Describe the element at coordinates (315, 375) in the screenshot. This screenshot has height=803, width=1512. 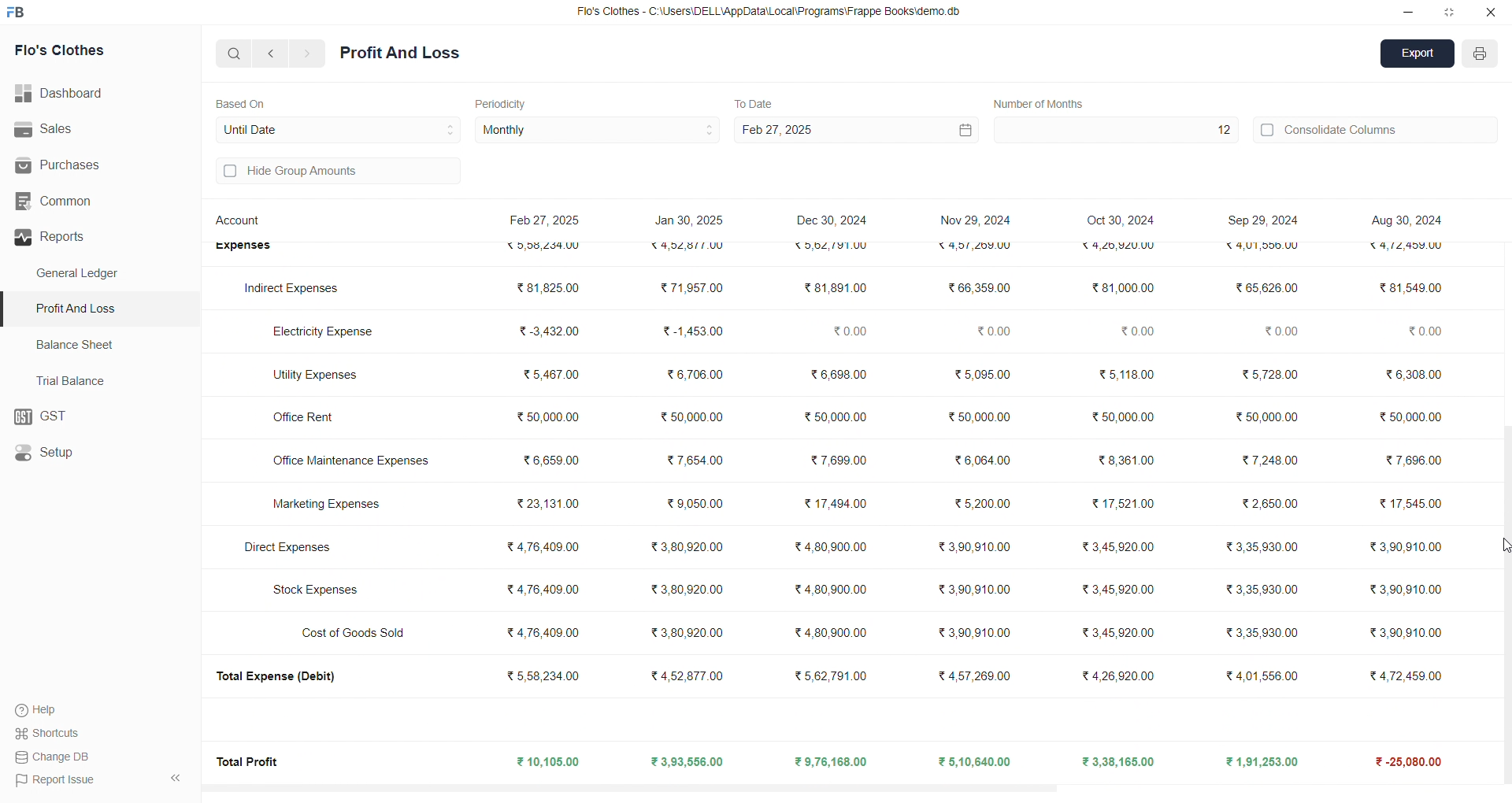
I see `Utility Expenses.` at that location.